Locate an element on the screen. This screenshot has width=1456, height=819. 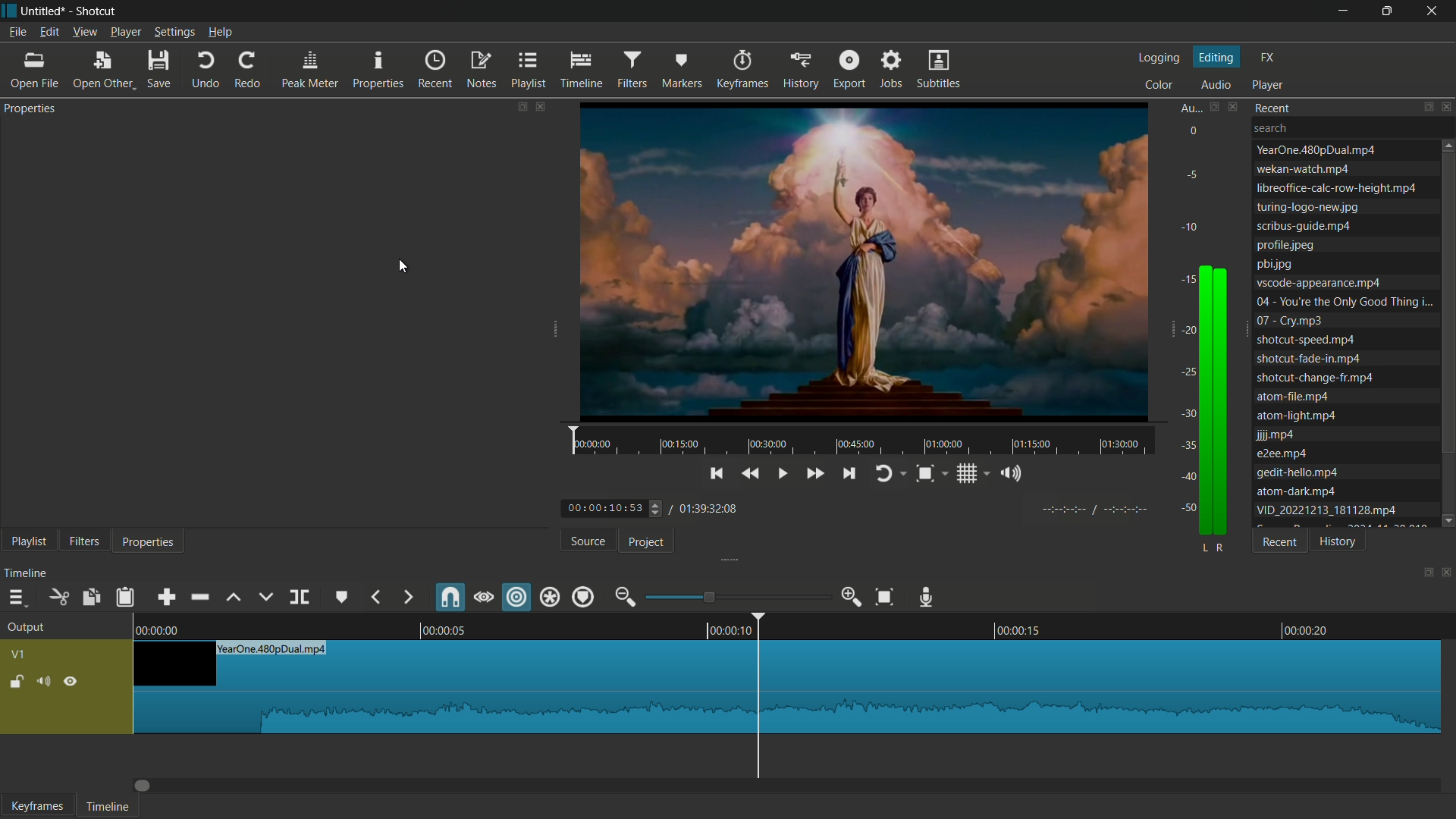
jobs is located at coordinates (890, 70).